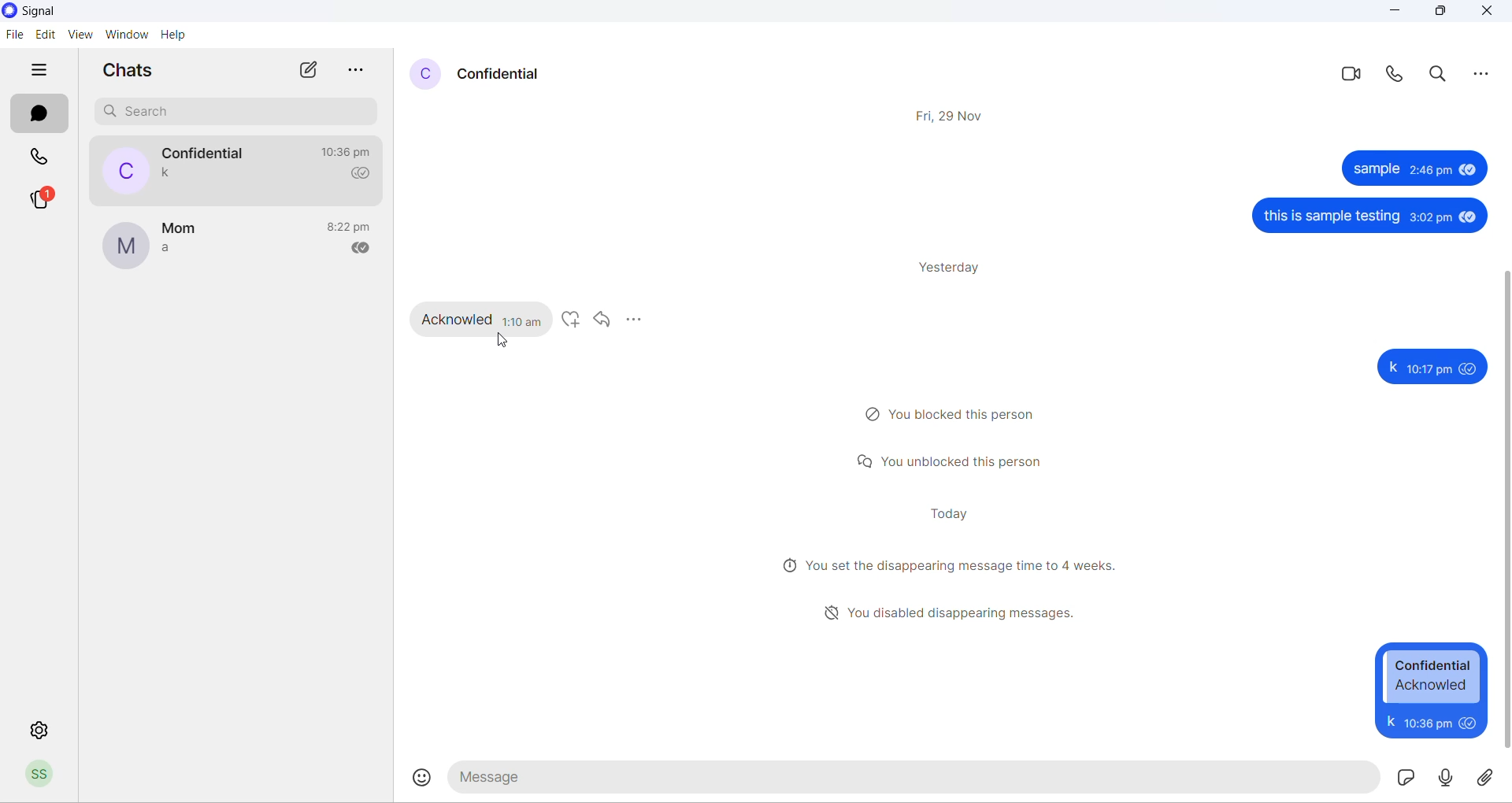  What do you see at coordinates (1393, 75) in the screenshot?
I see `voice call` at bounding box center [1393, 75].